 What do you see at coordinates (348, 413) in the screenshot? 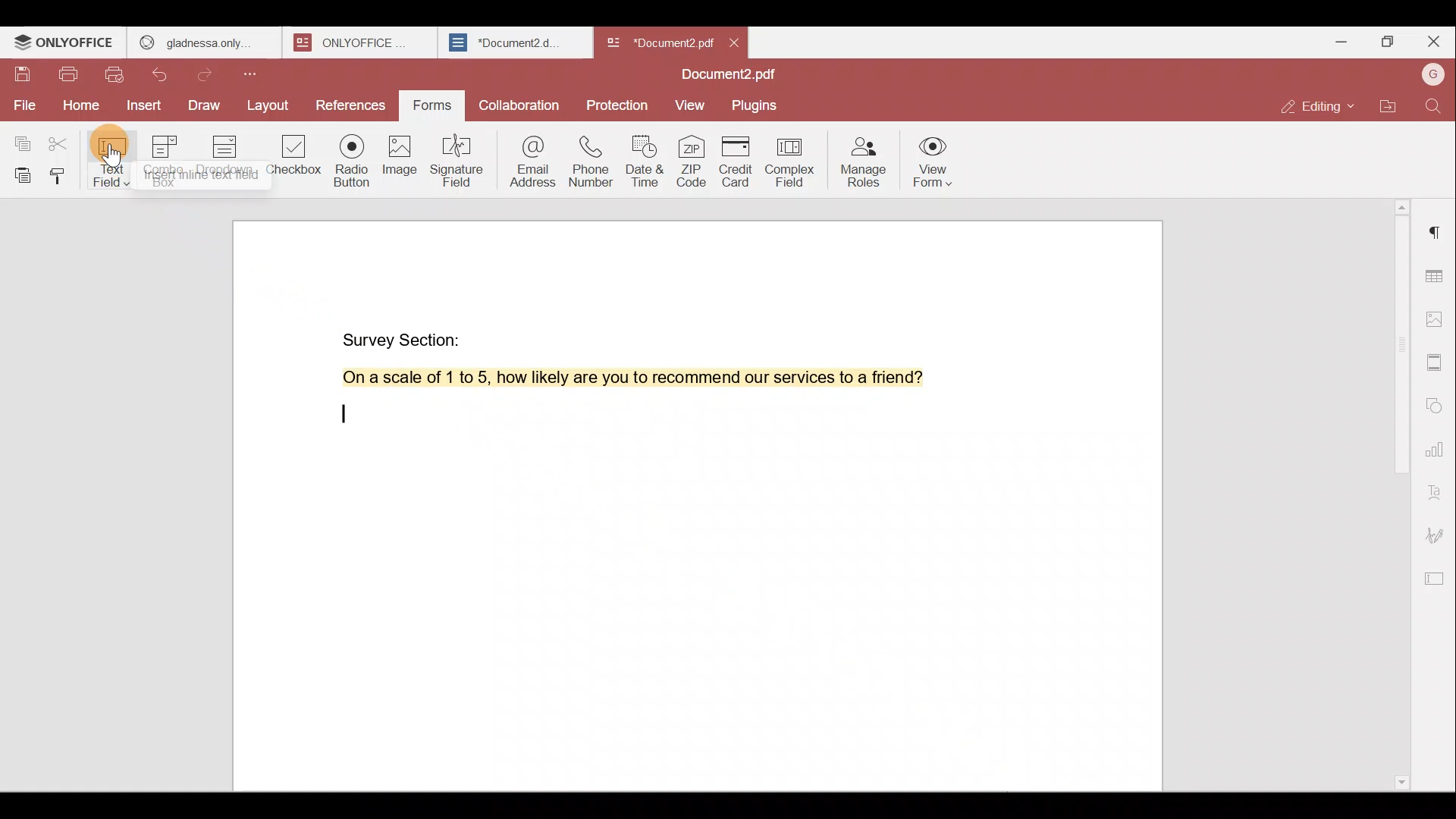
I see `text cursor` at bounding box center [348, 413].